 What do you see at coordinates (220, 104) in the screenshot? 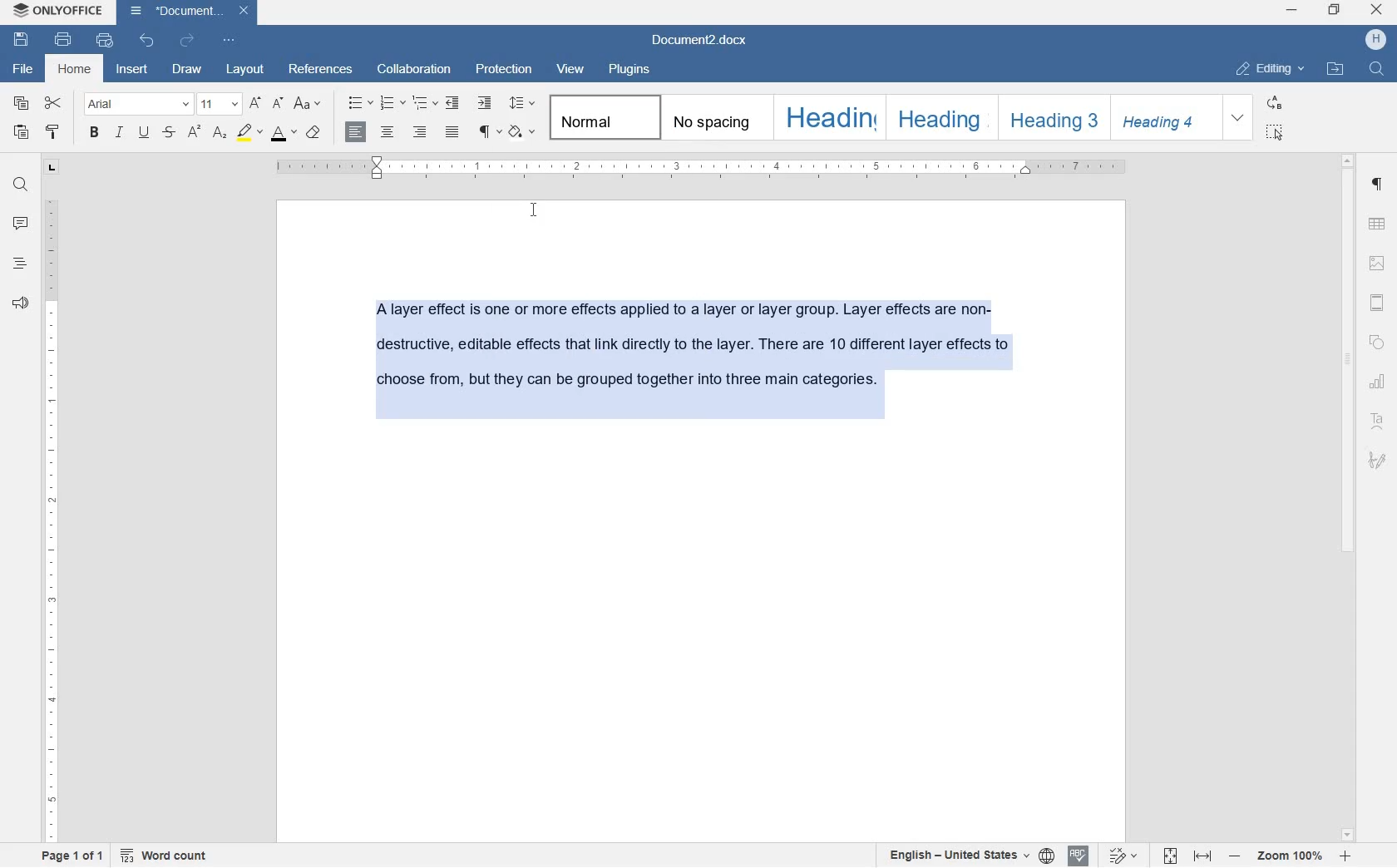
I see `font size` at bounding box center [220, 104].